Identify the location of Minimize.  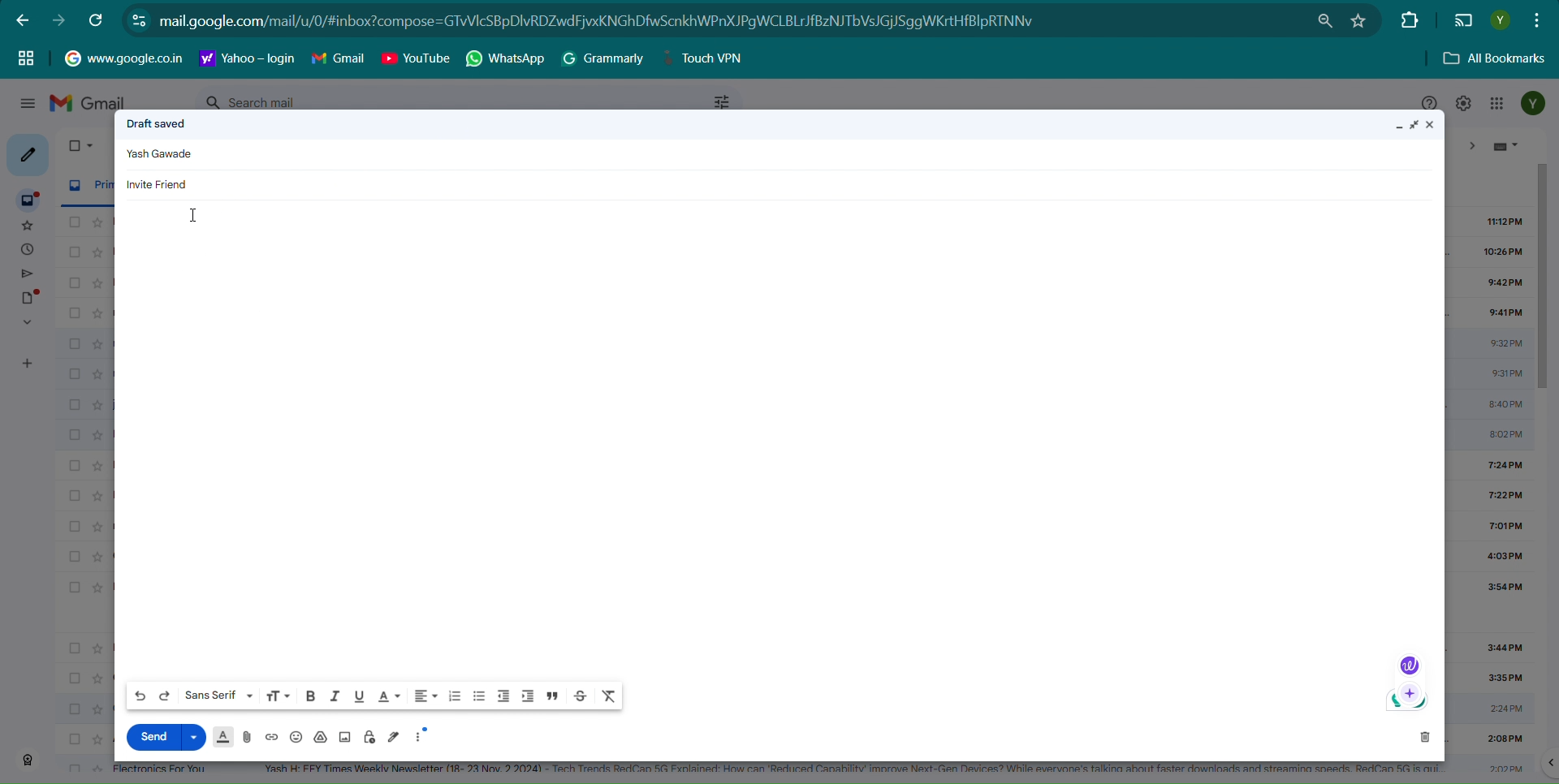
(1397, 127).